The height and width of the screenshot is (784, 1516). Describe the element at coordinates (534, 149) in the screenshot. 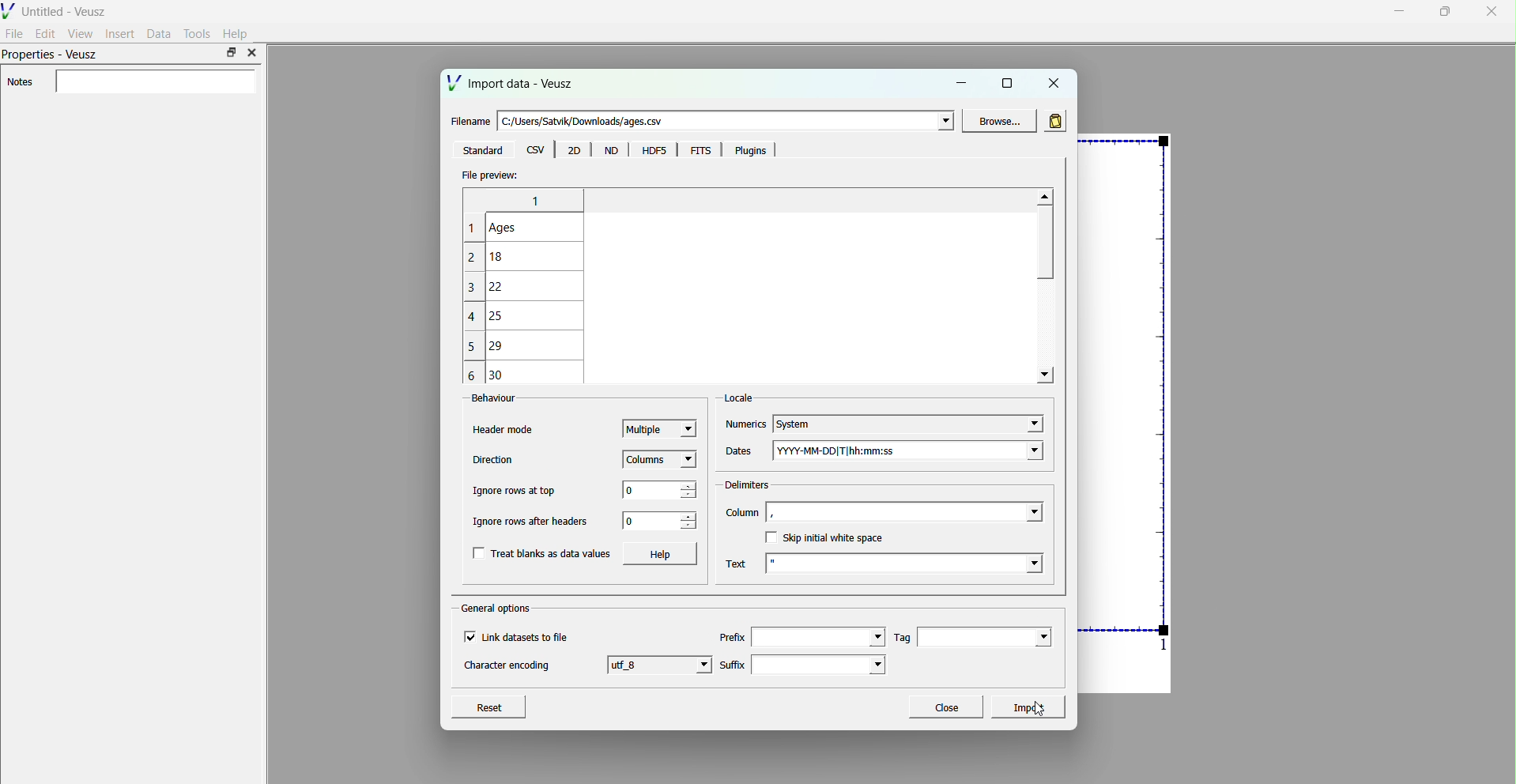

I see `csv` at that location.